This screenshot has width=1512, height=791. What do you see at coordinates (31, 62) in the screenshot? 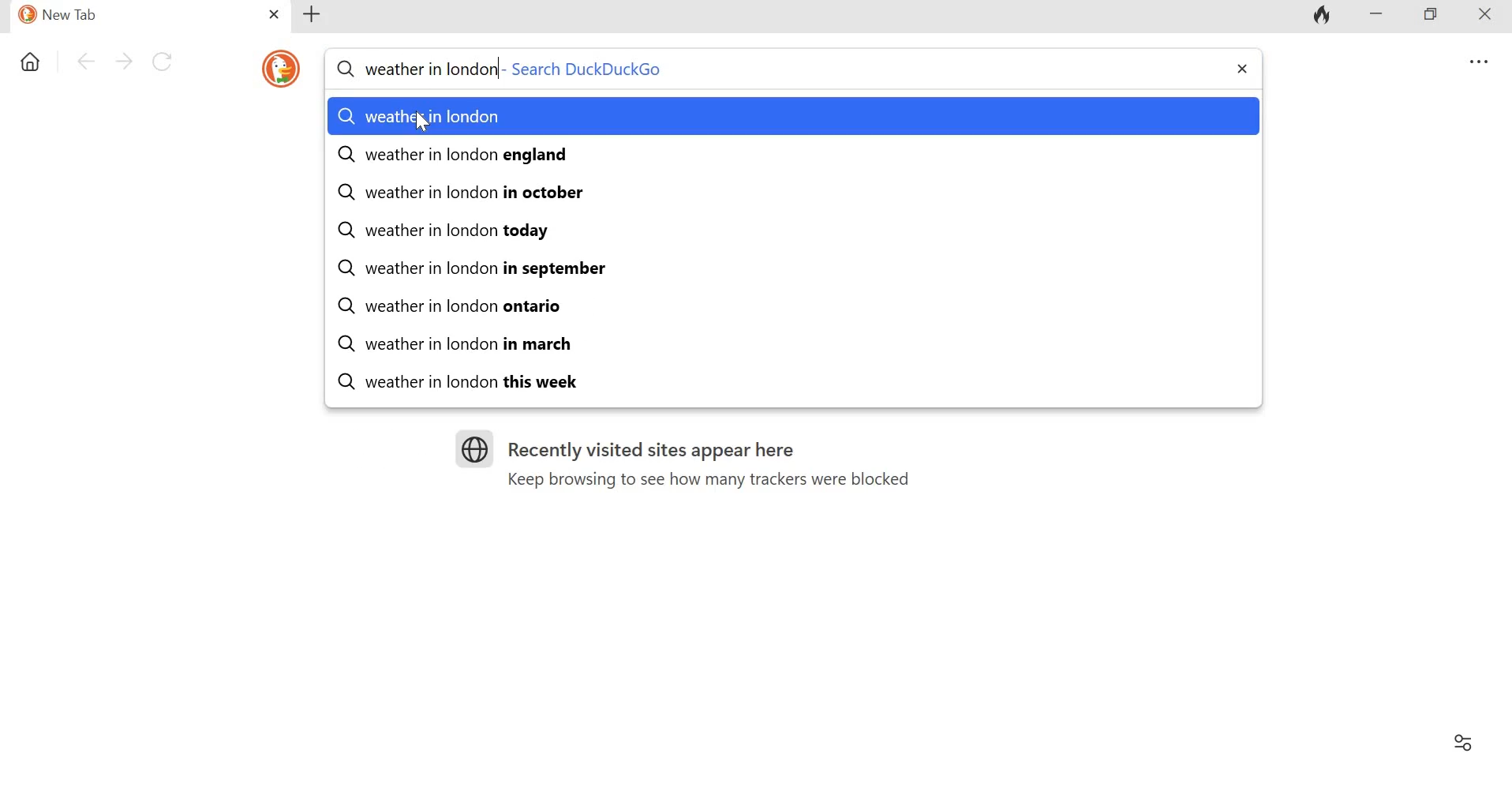
I see `Home` at bounding box center [31, 62].